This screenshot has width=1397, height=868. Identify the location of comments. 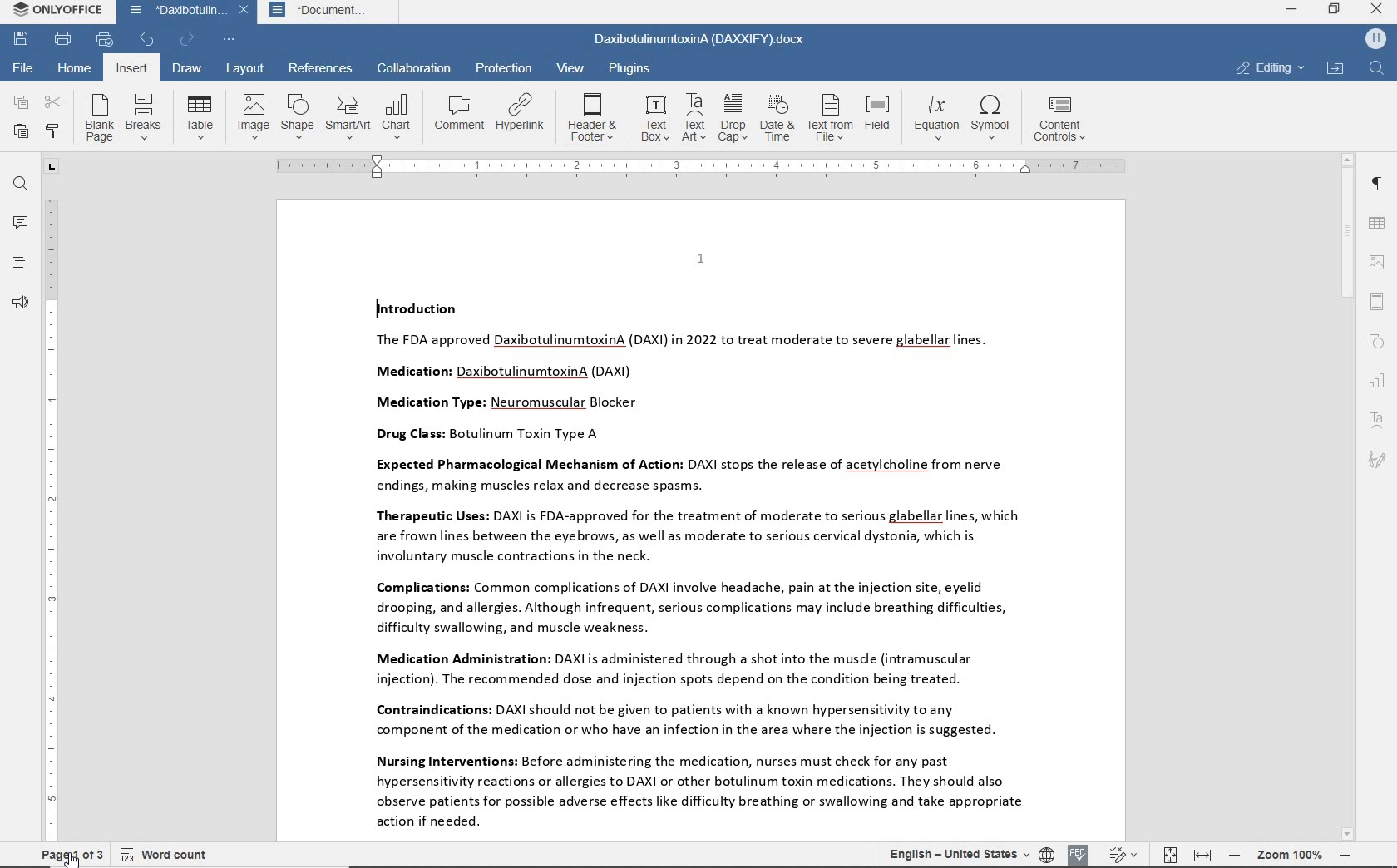
(20, 223).